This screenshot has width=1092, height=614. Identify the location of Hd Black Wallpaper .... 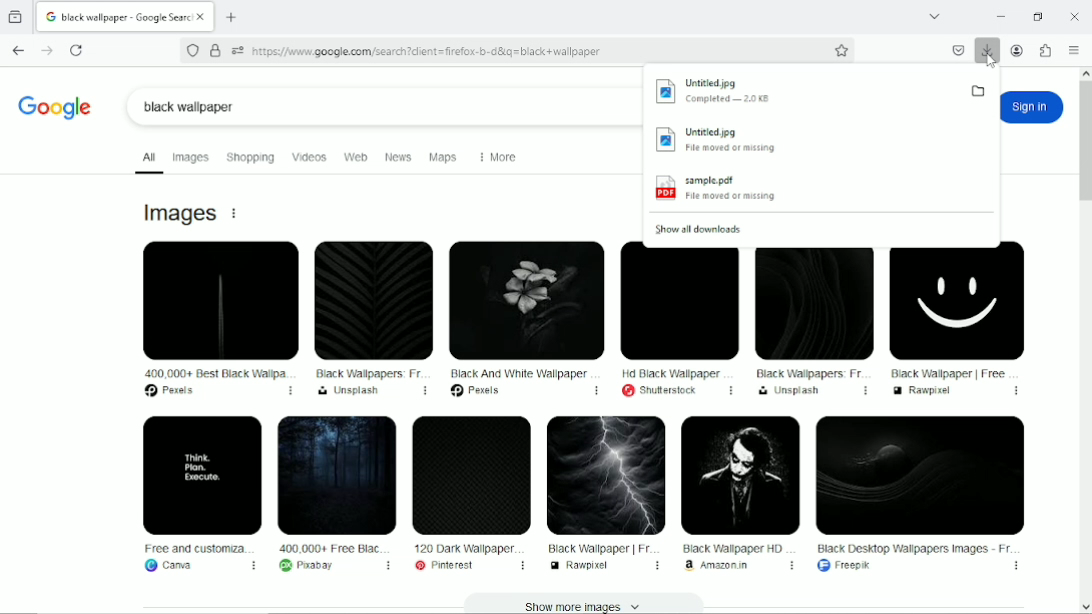
(678, 321).